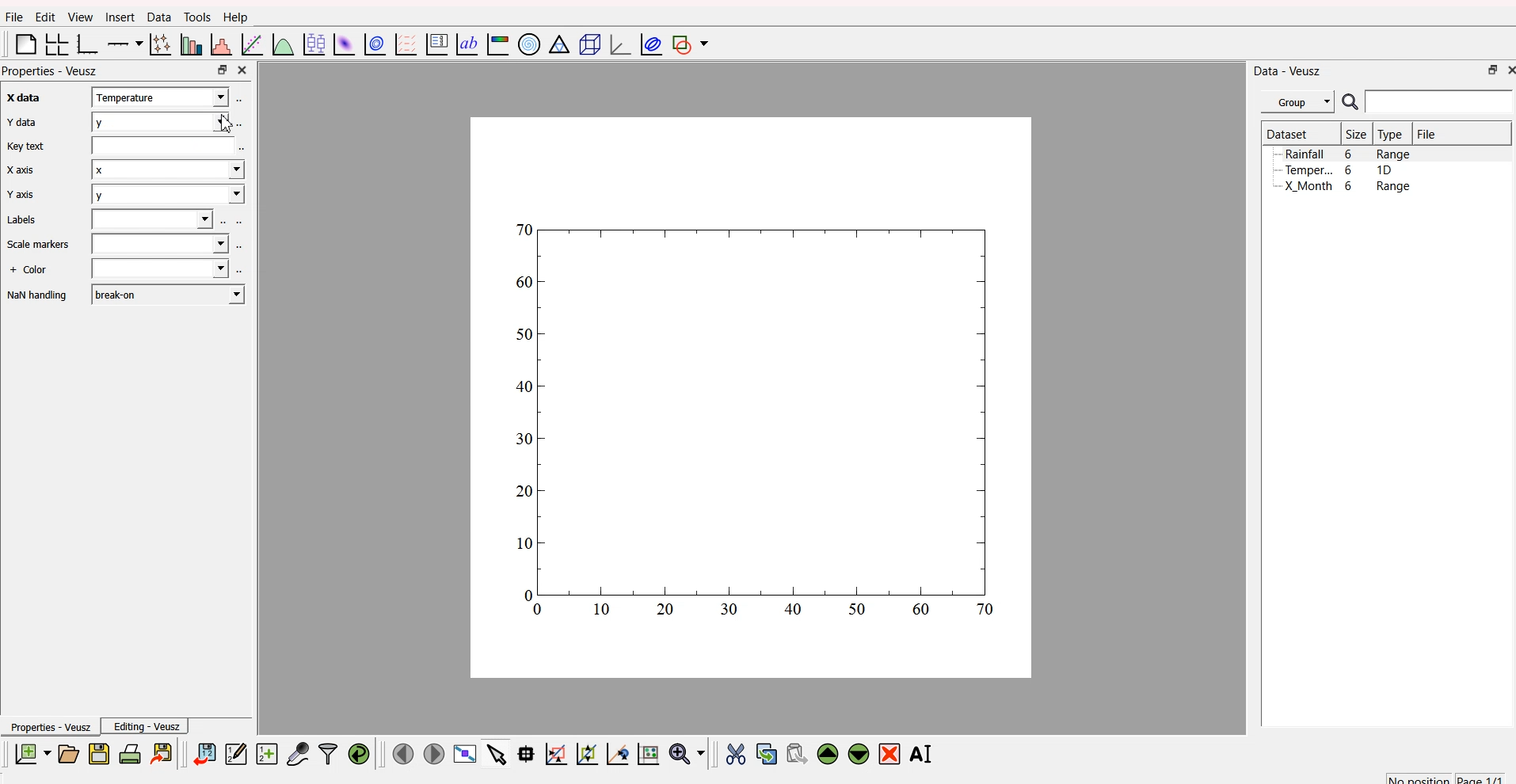 The height and width of the screenshot is (784, 1516). What do you see at coordinates (314, 43) in the screenshot?
I see `plot box plots` at bounding box center [314, 43].